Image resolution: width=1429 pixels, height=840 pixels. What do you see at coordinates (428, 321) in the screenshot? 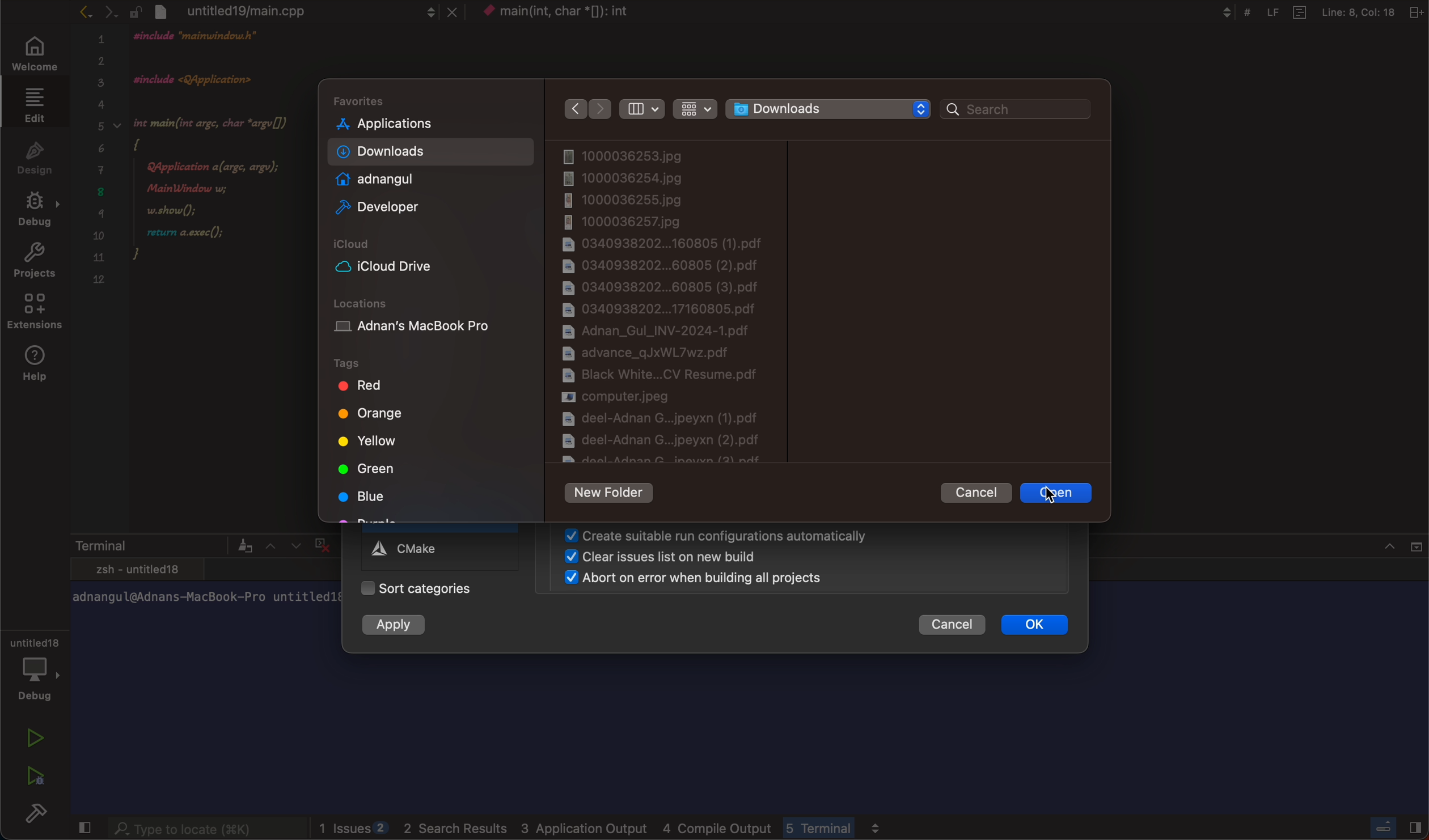
I see `location` at bounding box center [428, 321].